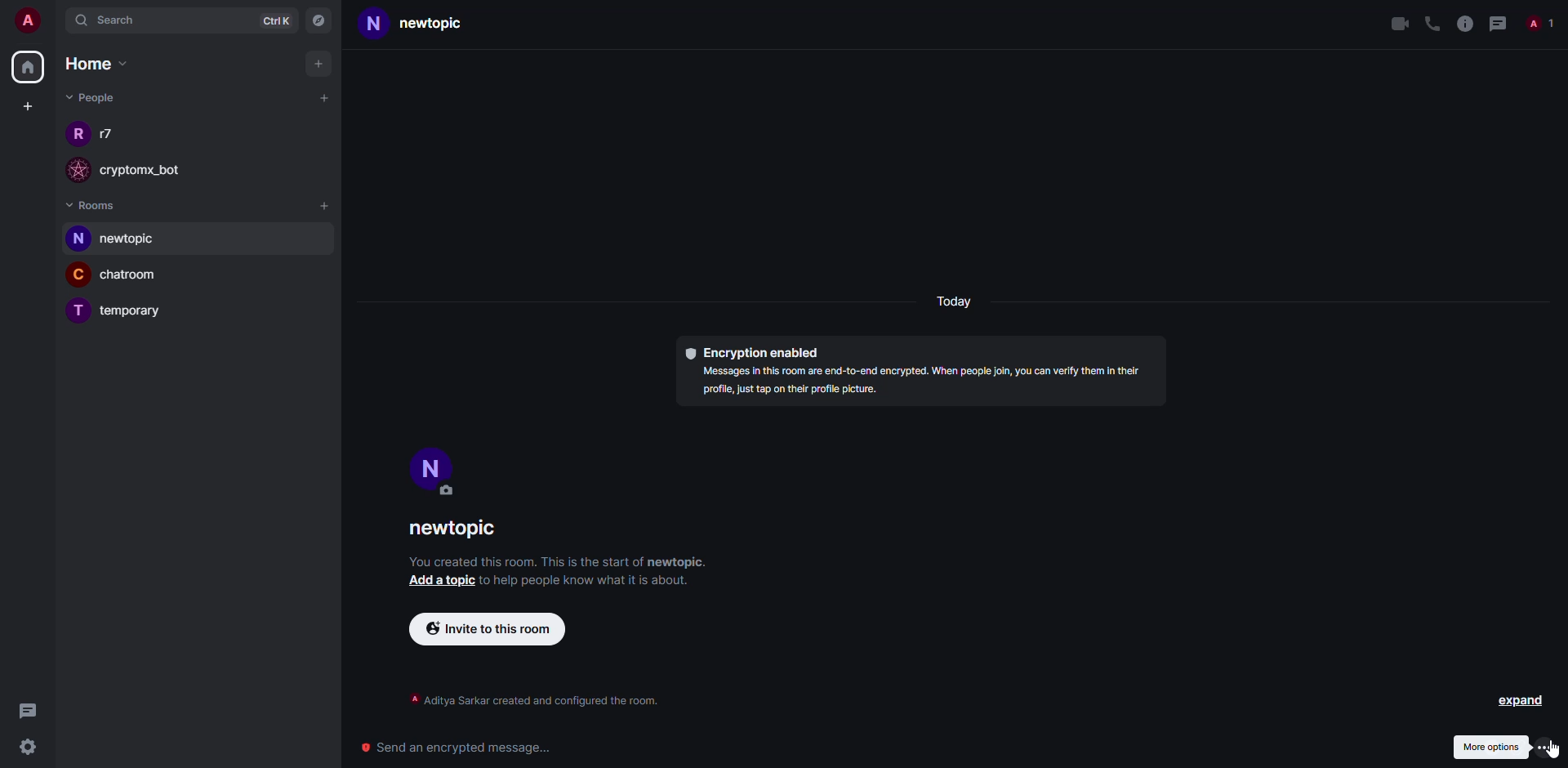 This screenshot has height=768, width=1568. I want to click on N, so click(374, 25).